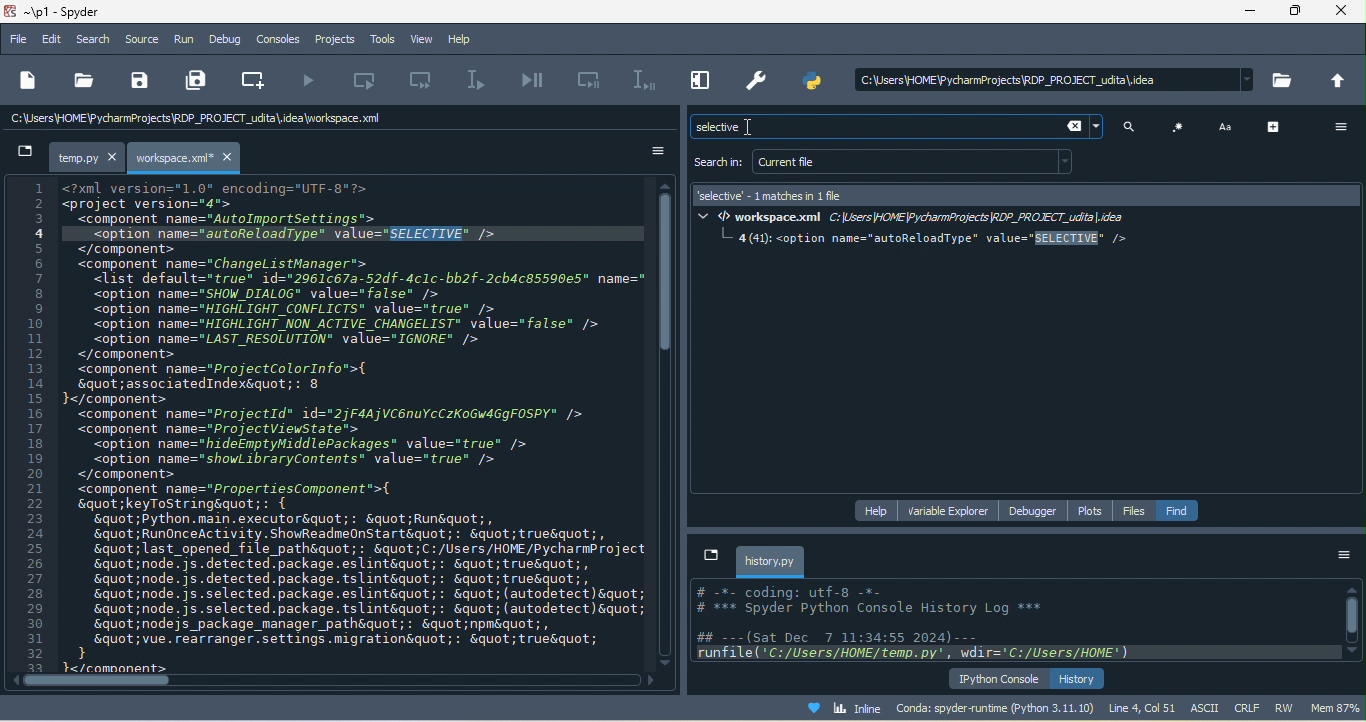 The height and width of the screenshot is (722, 1366). Describe the element at coordinates (479, 81) in the screenshot. I see `current line` at that location.